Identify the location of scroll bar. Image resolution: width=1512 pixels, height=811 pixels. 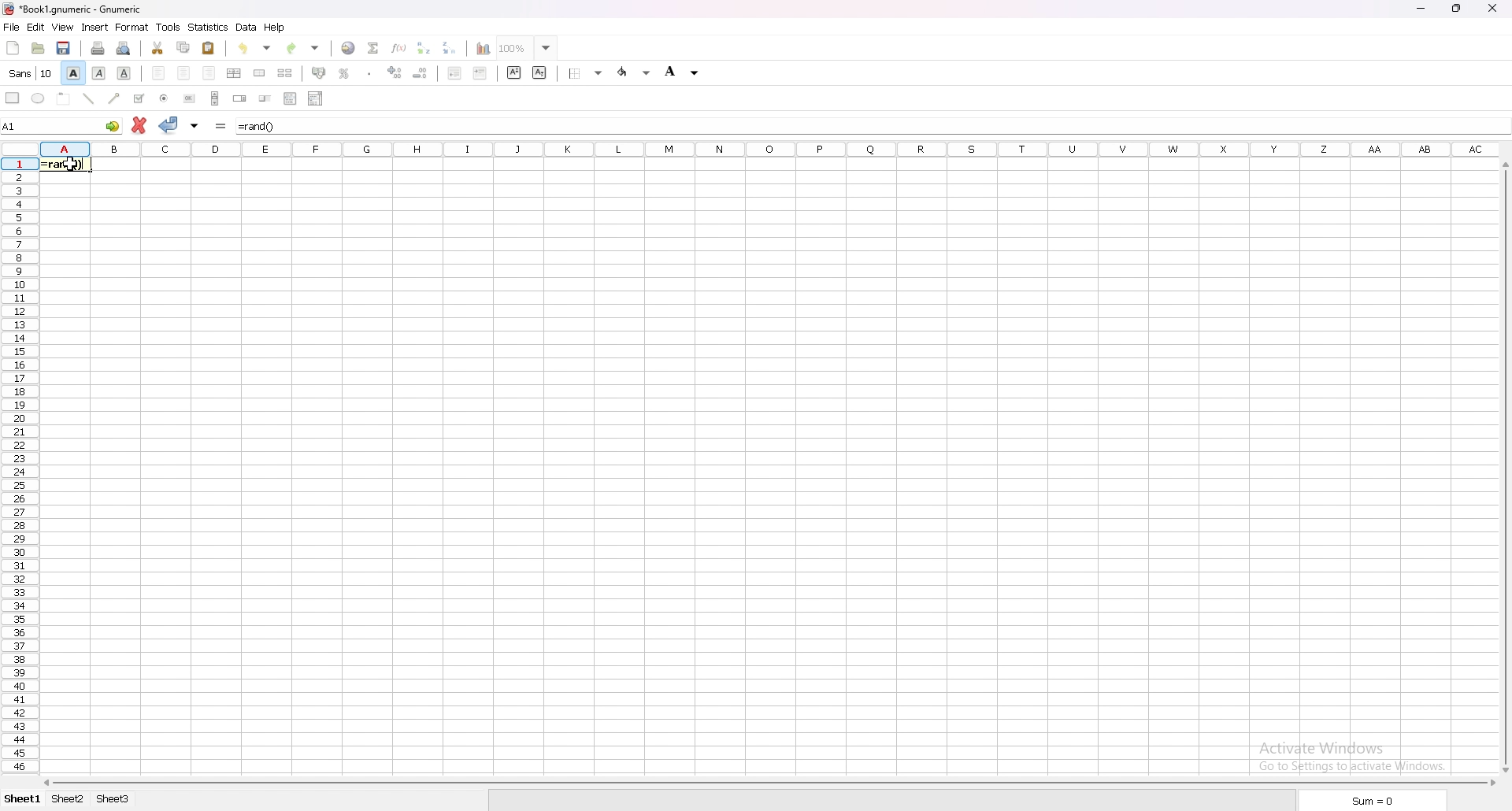
(1506, 466).